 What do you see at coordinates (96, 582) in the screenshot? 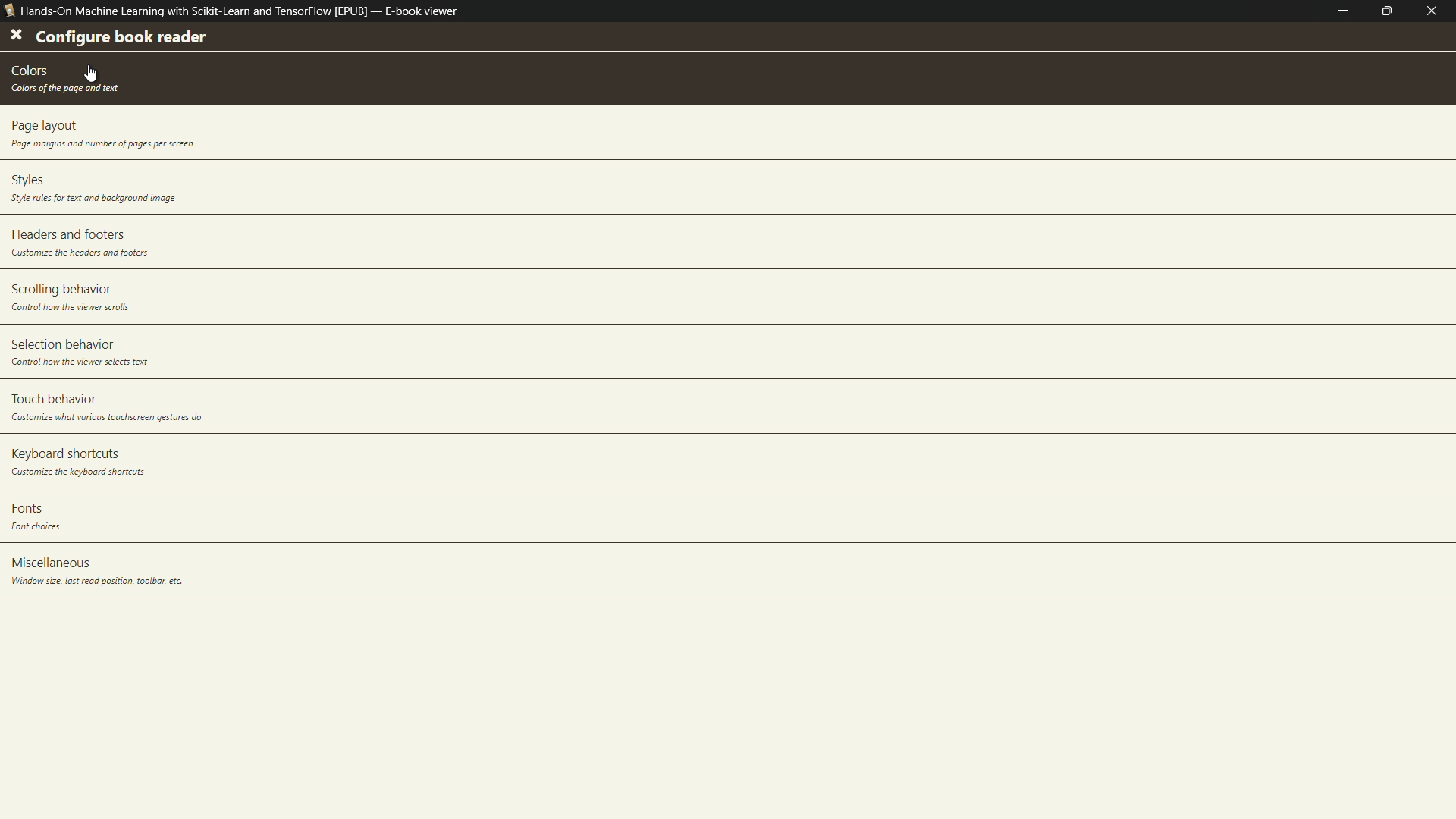
I see `text` at bounding box center [96, 582].